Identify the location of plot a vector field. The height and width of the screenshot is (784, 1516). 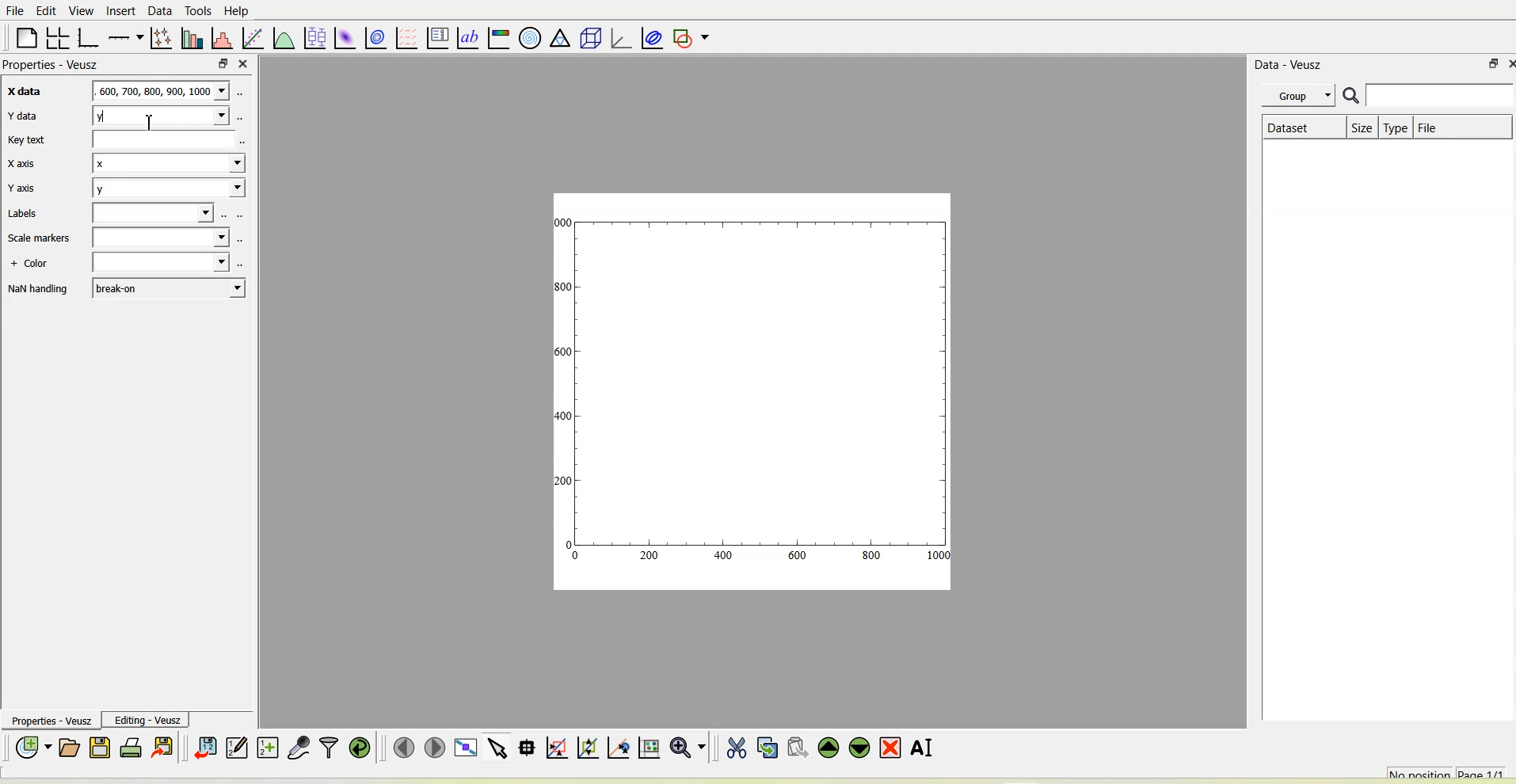
(406, 37).